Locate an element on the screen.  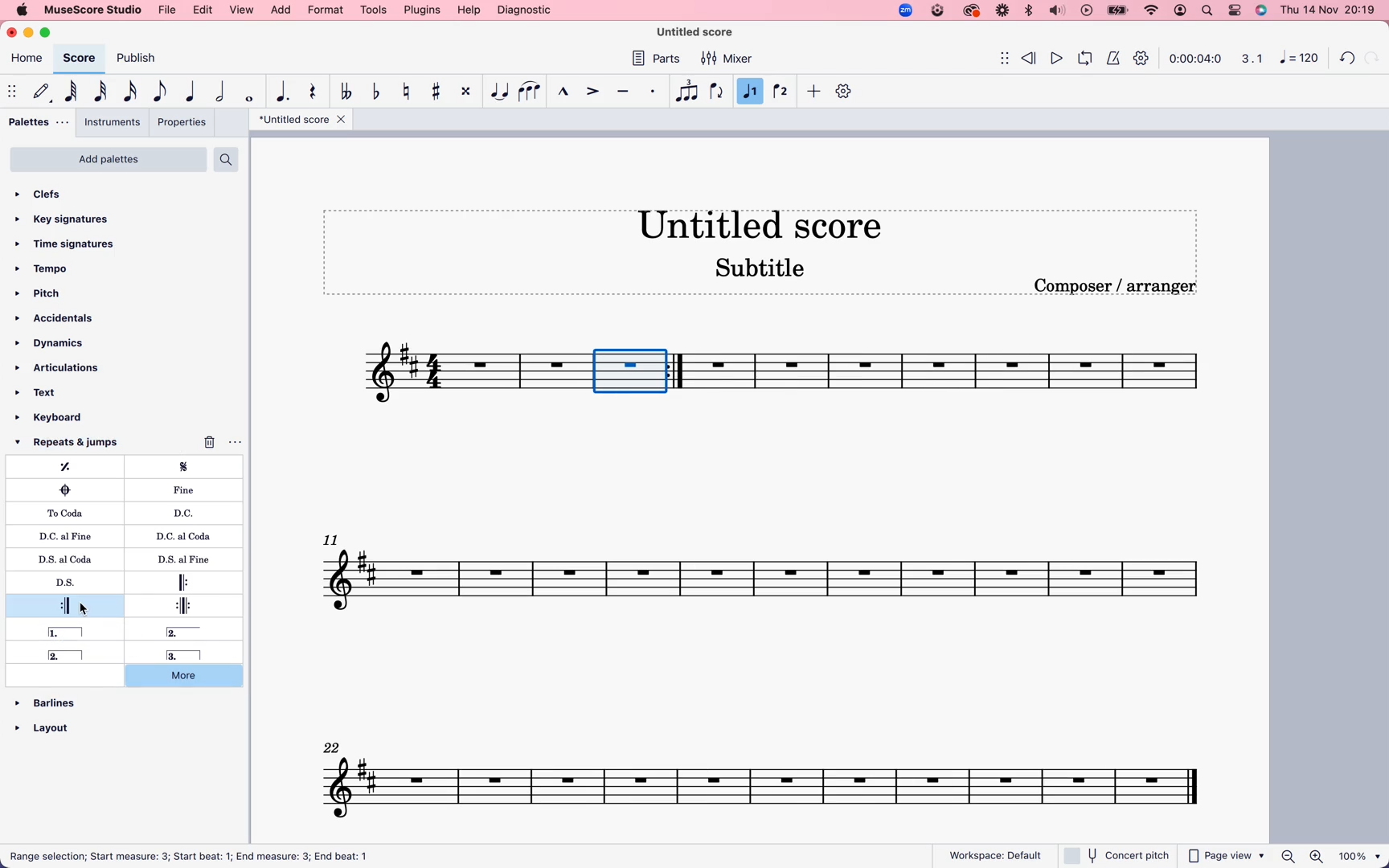
tools is located at coordinates (374, 10).